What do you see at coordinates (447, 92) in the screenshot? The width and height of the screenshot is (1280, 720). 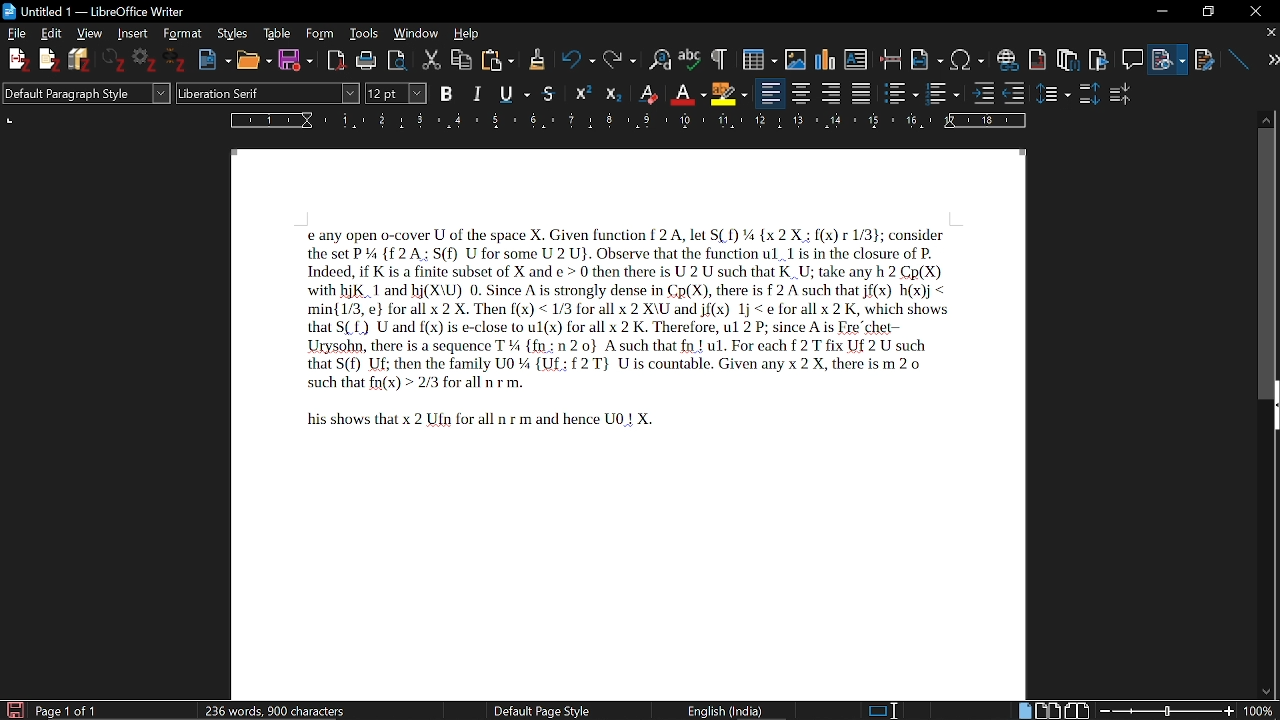 I see `B` at bounding box center [447, 92].